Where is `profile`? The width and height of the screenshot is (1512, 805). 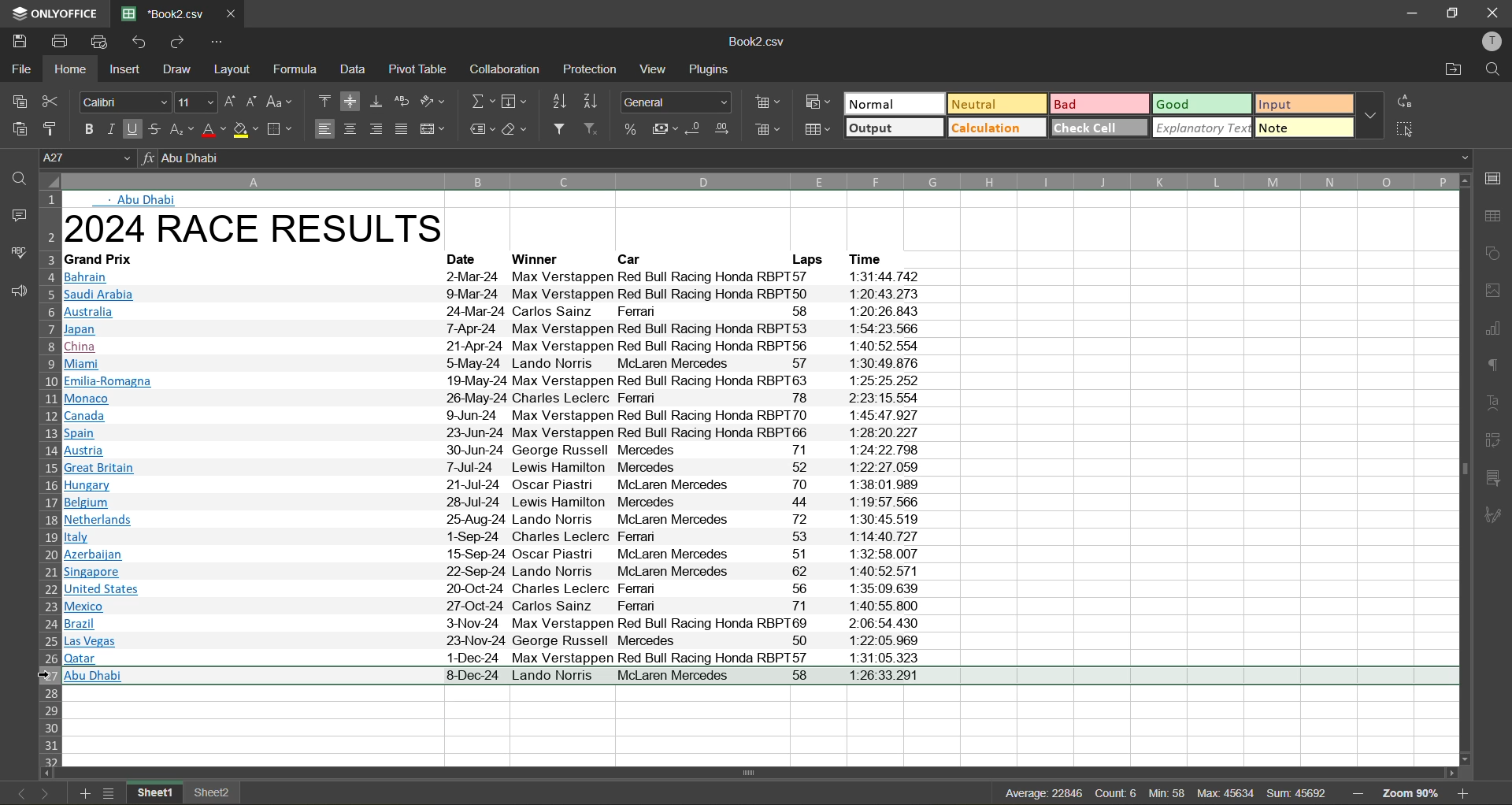
profile is located at coordinates (1493, 43).